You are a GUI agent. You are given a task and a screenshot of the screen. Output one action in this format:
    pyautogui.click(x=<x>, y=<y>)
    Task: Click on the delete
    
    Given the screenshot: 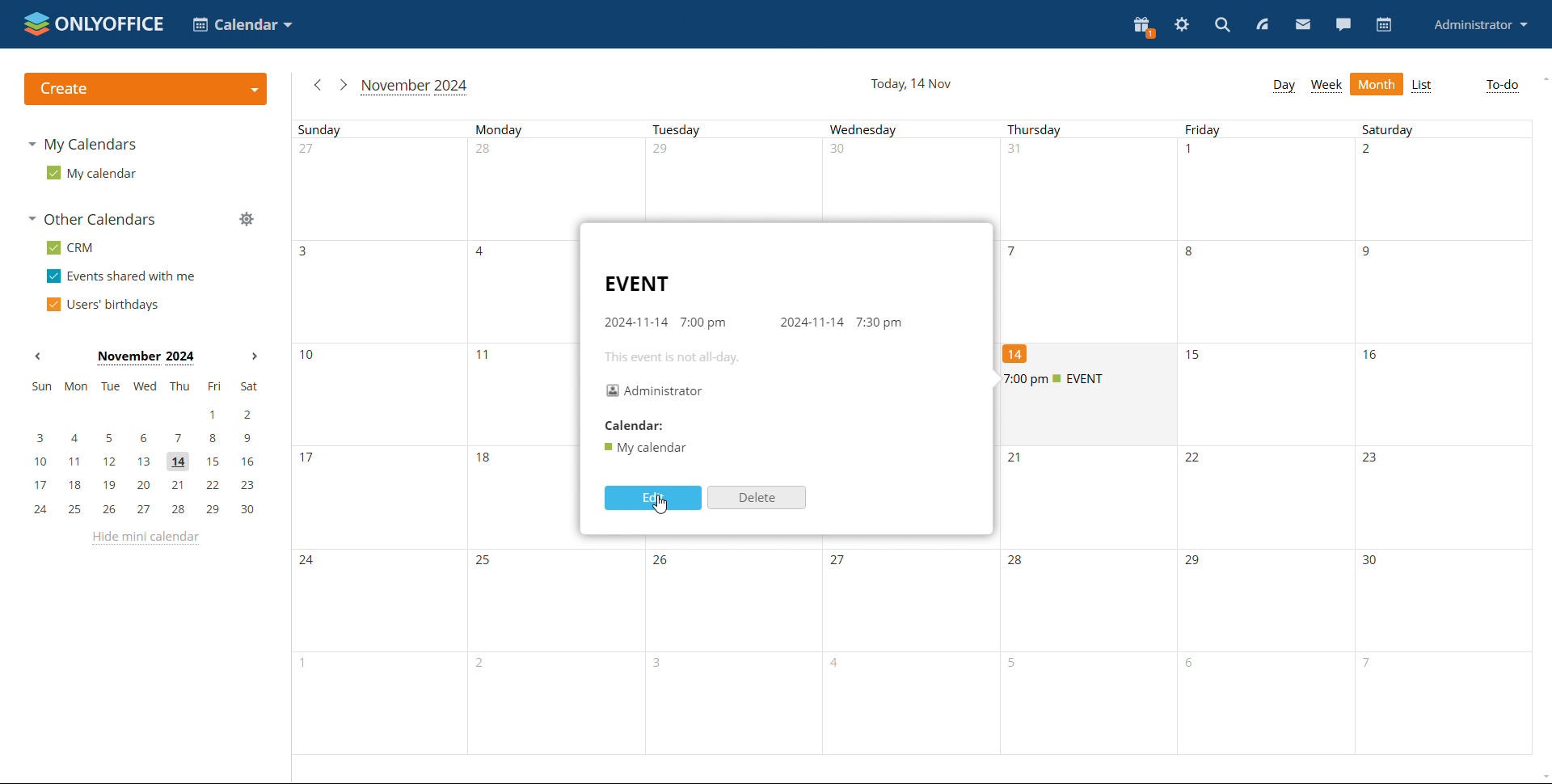 What is the action you would take?
    pyautogui.click(x=757, y=498)
    